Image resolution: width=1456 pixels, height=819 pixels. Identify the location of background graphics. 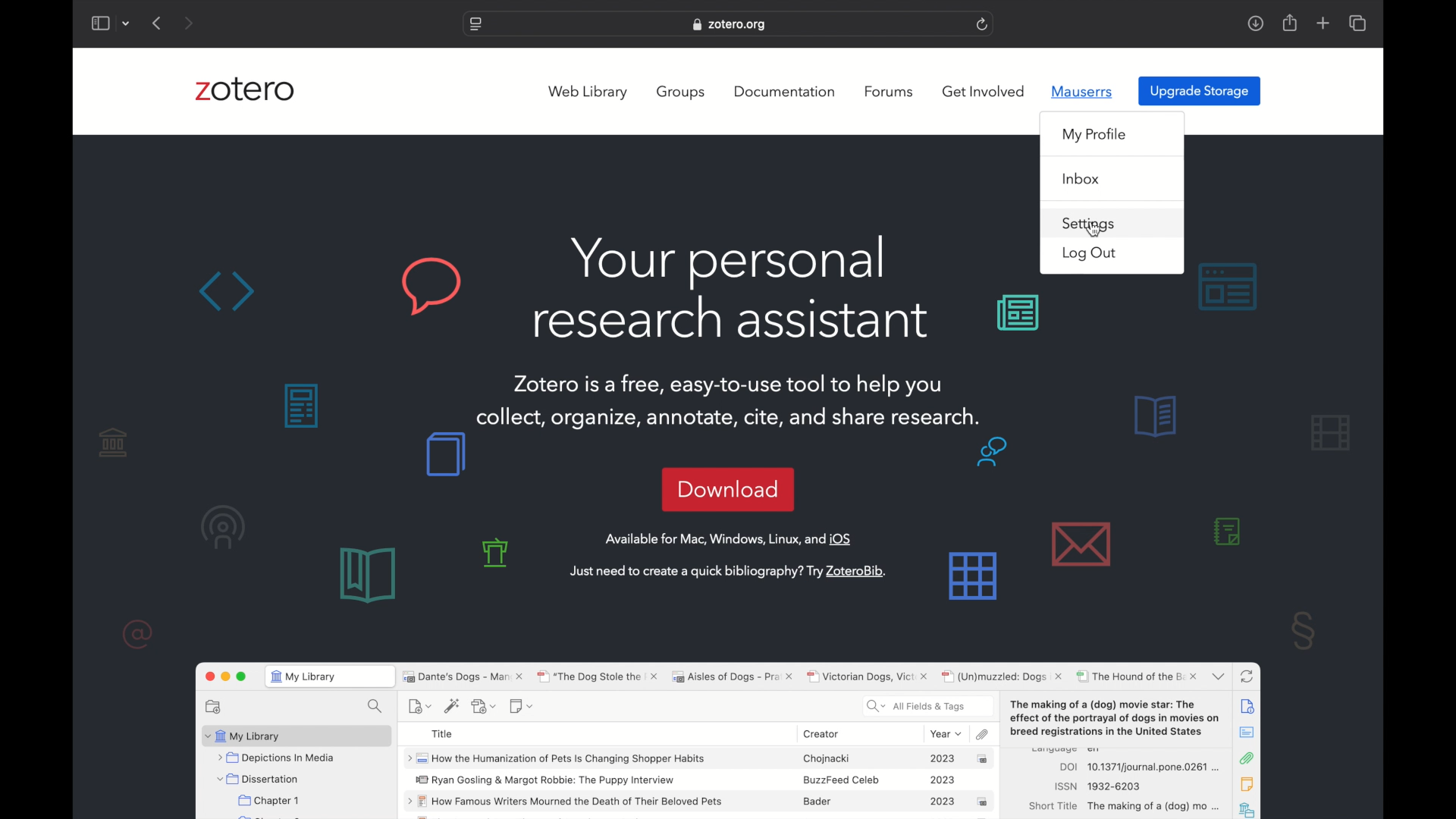
(334, 288).